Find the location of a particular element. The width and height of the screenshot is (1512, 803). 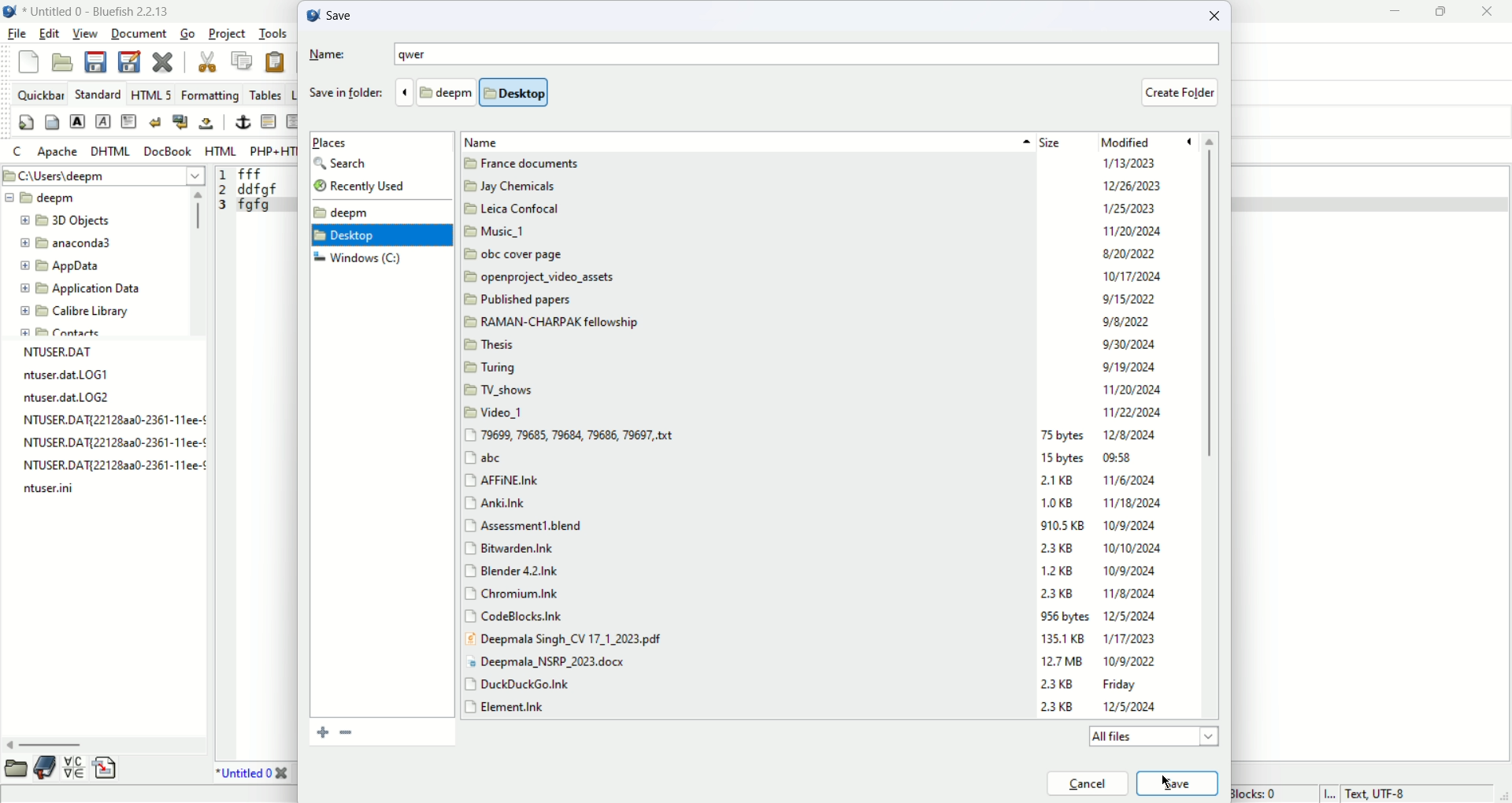

deepm is located at coordinates (354, 210).